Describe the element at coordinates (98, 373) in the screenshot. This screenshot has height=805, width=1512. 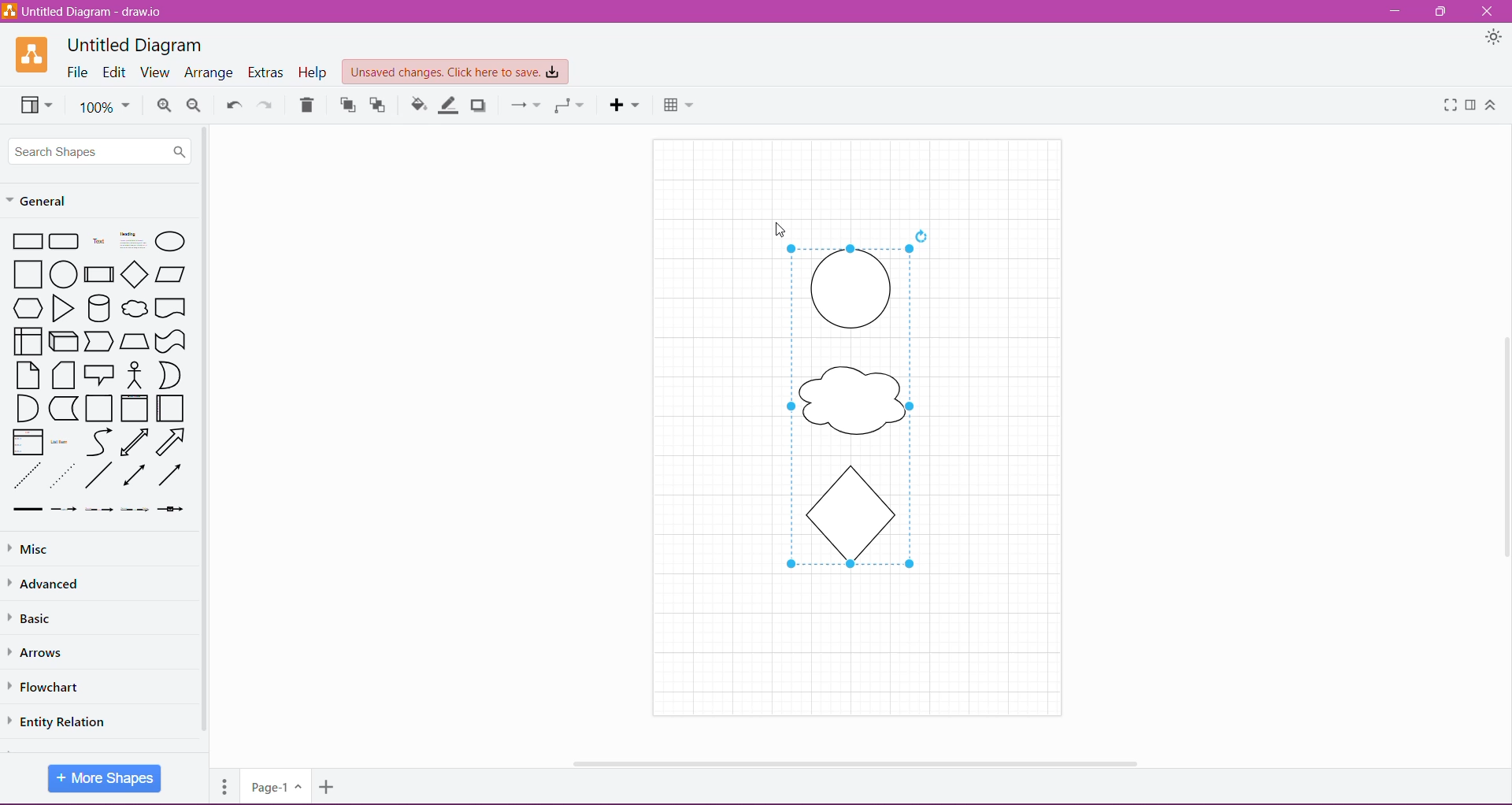
I see `Available shapes in General` at that location.